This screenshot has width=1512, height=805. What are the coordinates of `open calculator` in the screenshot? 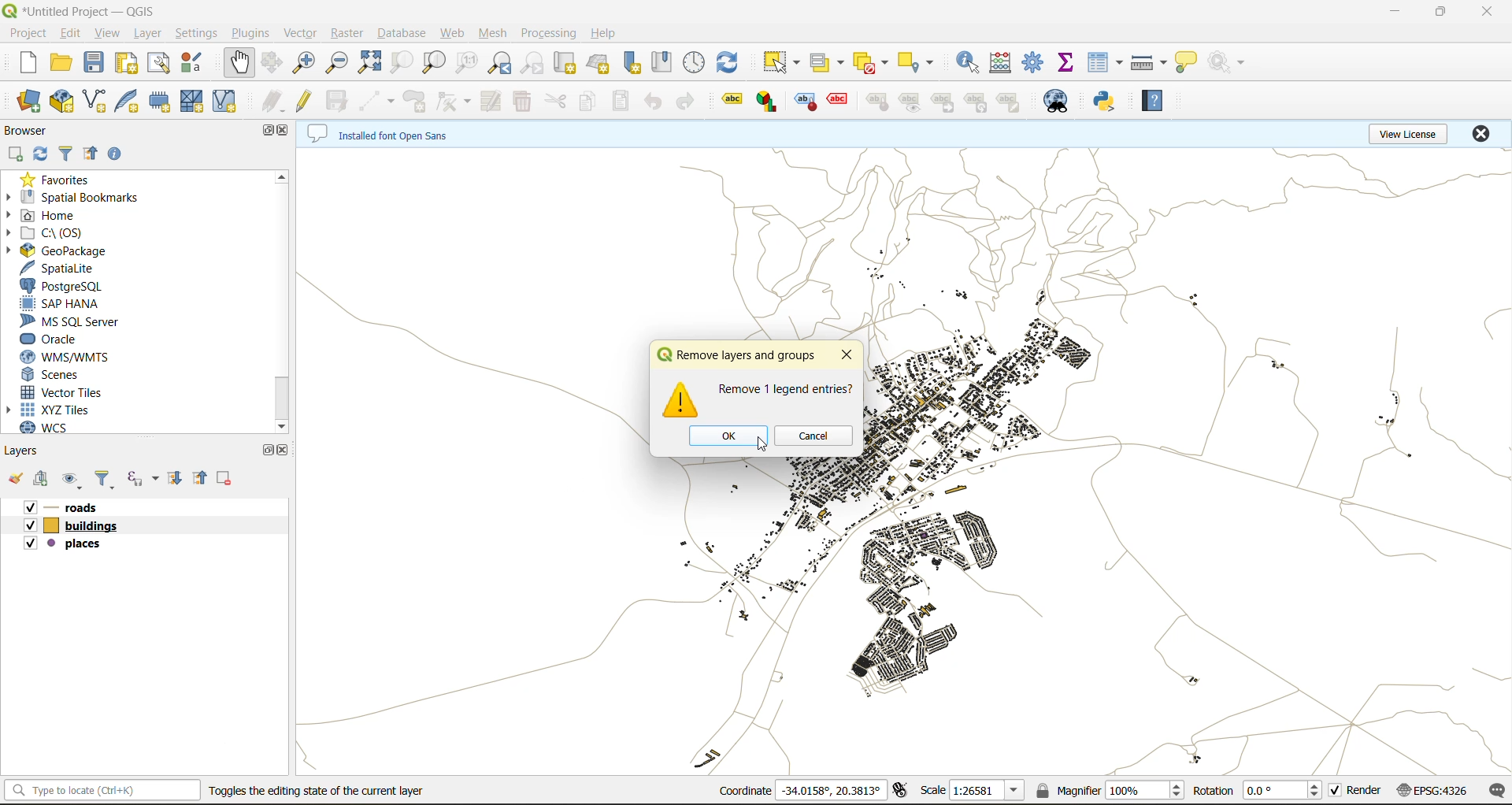 It's located at (1004, 65).